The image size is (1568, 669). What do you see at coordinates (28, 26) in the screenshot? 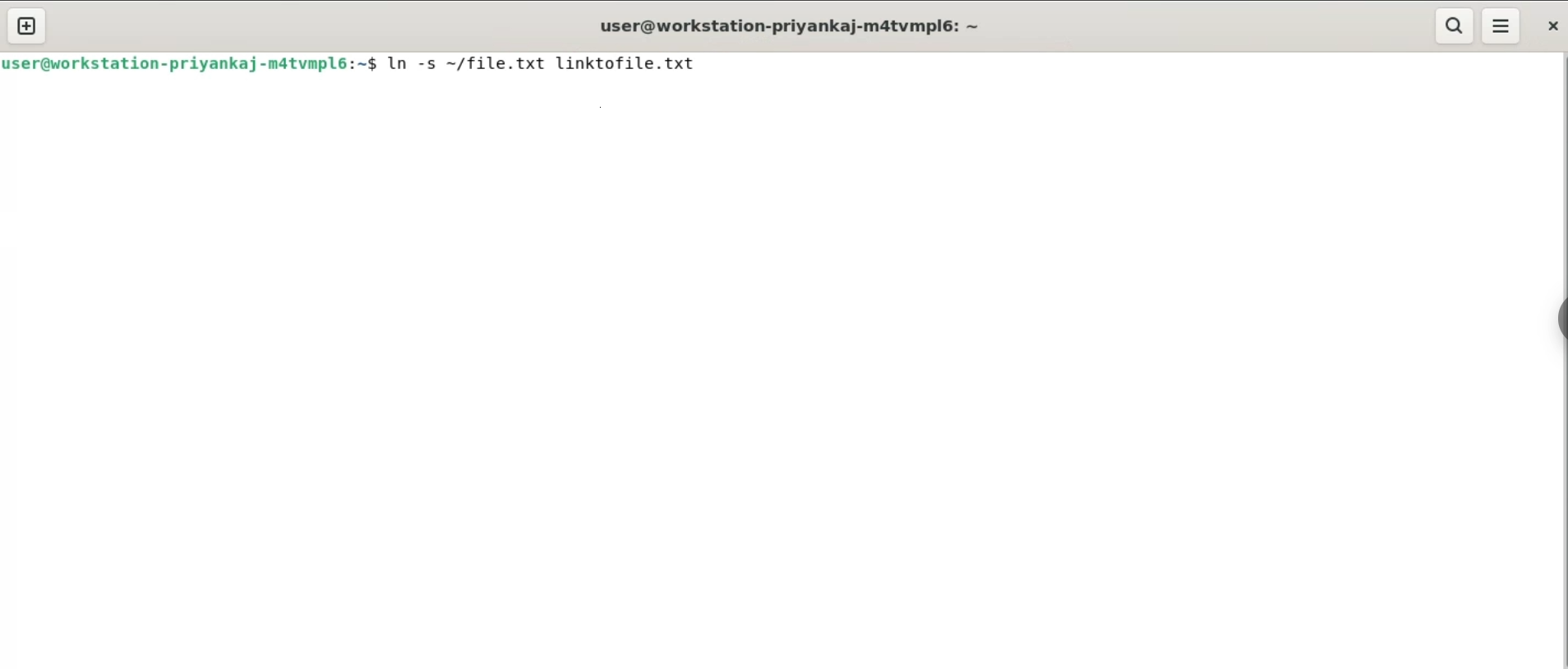
I see `new tab` at bounding box center [28, 26].